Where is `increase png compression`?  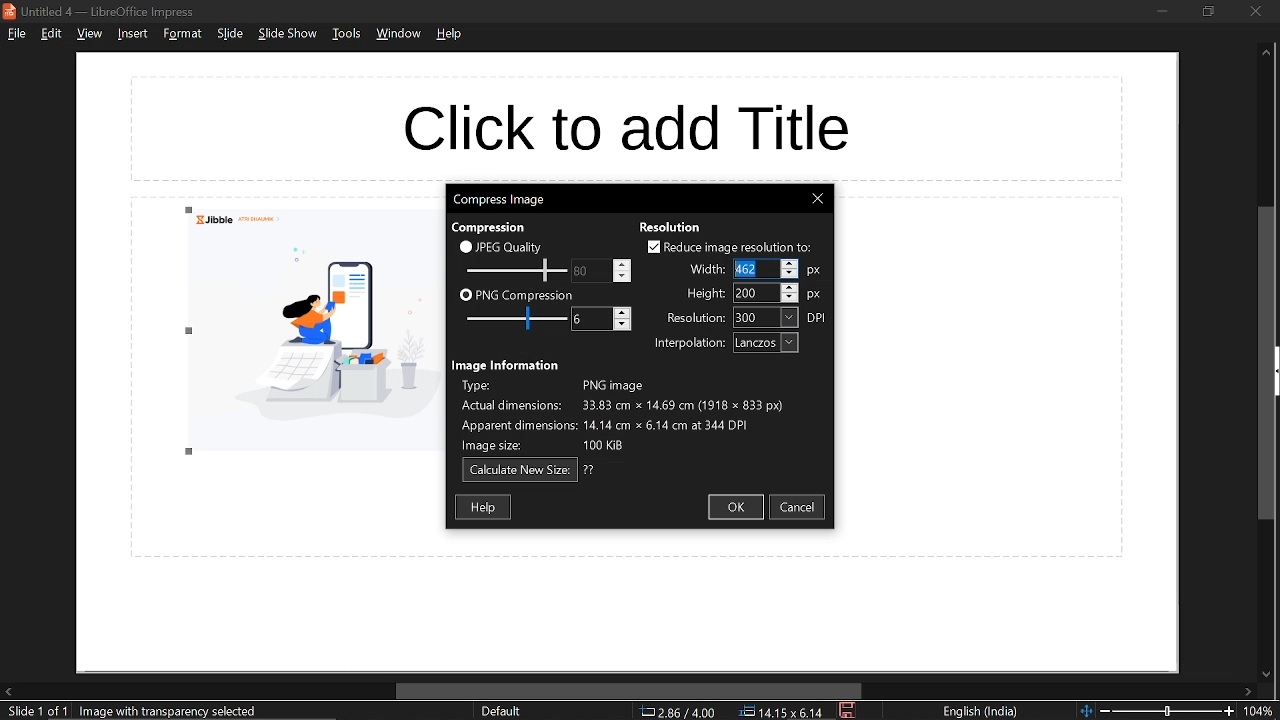 increase png compression is located at coordinates (623, 312).